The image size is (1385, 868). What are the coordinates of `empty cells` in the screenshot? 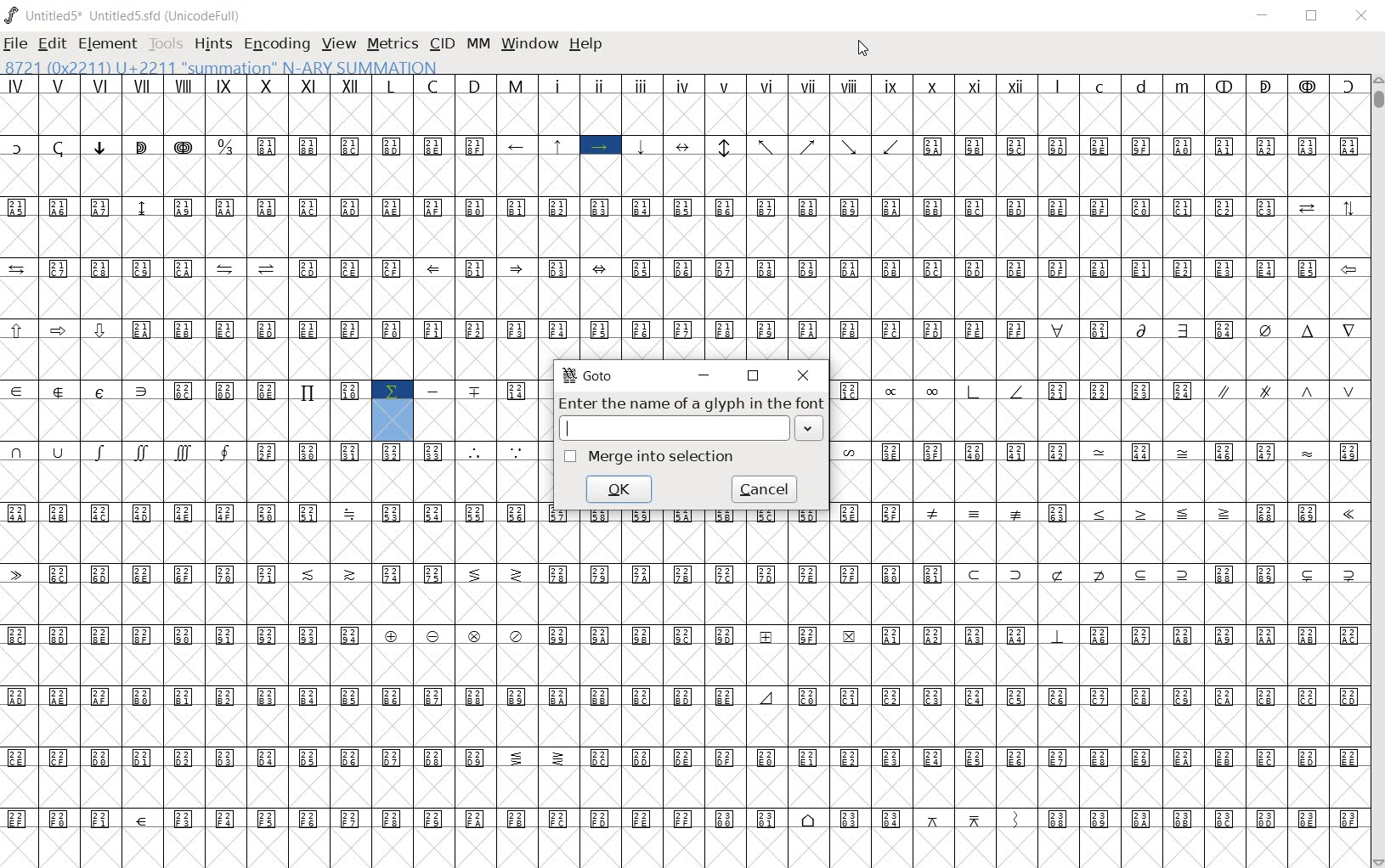 It's located at (684, 541).